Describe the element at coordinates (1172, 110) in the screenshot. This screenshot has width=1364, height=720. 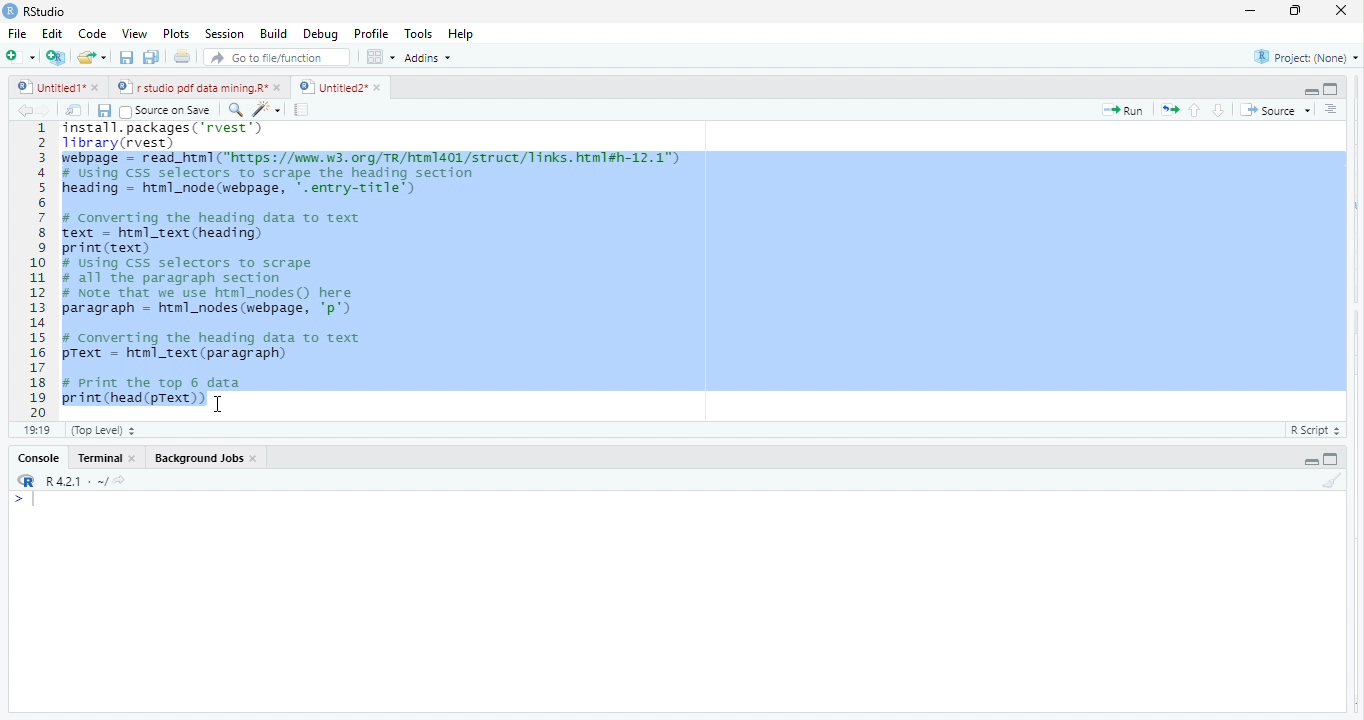
I see `re run the previous code` at that location.